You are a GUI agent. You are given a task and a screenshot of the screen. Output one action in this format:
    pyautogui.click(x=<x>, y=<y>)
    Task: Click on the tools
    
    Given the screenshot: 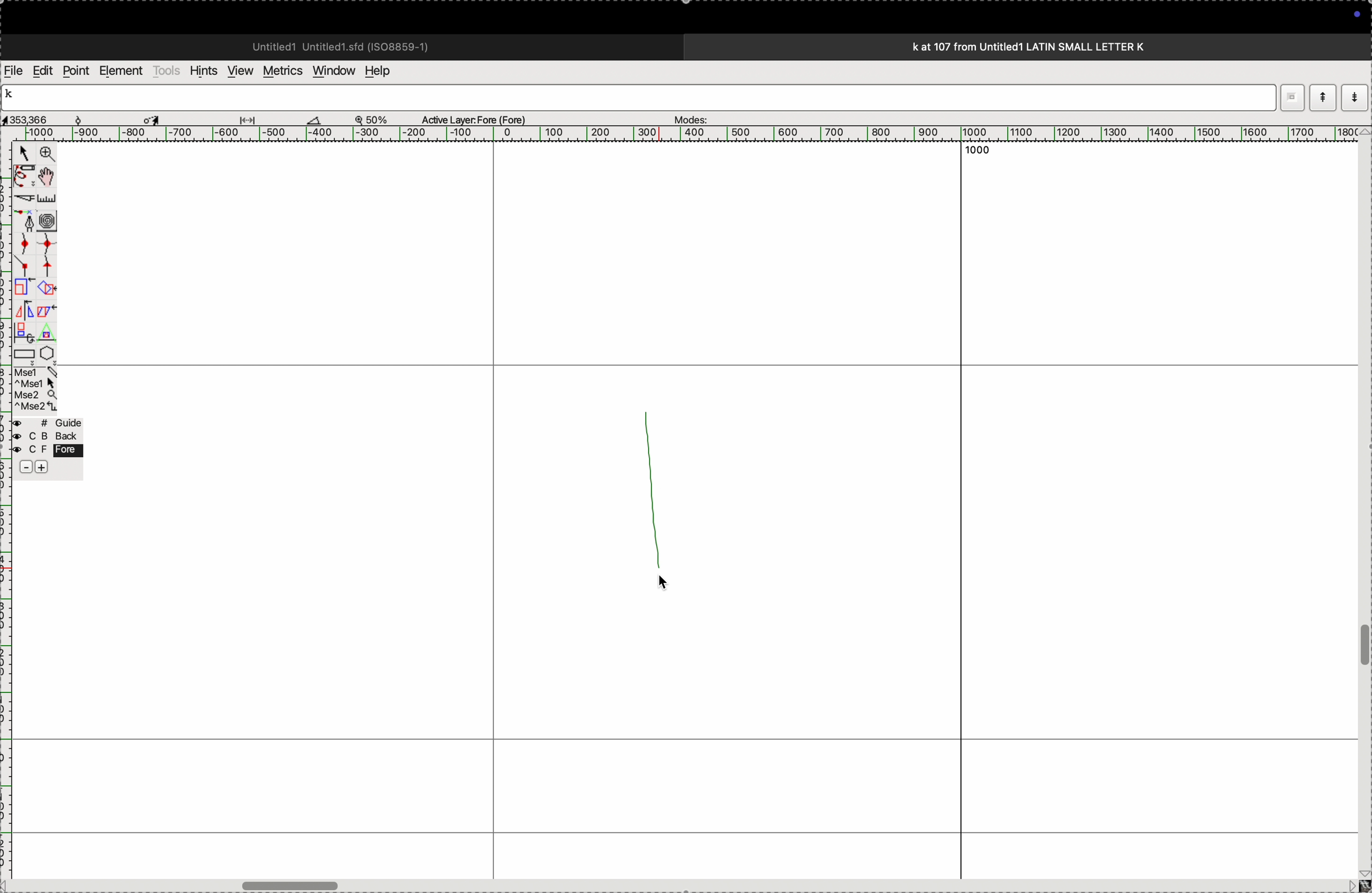 What is the action you would take?
    pyautogui.click(x=167, y=70)
    